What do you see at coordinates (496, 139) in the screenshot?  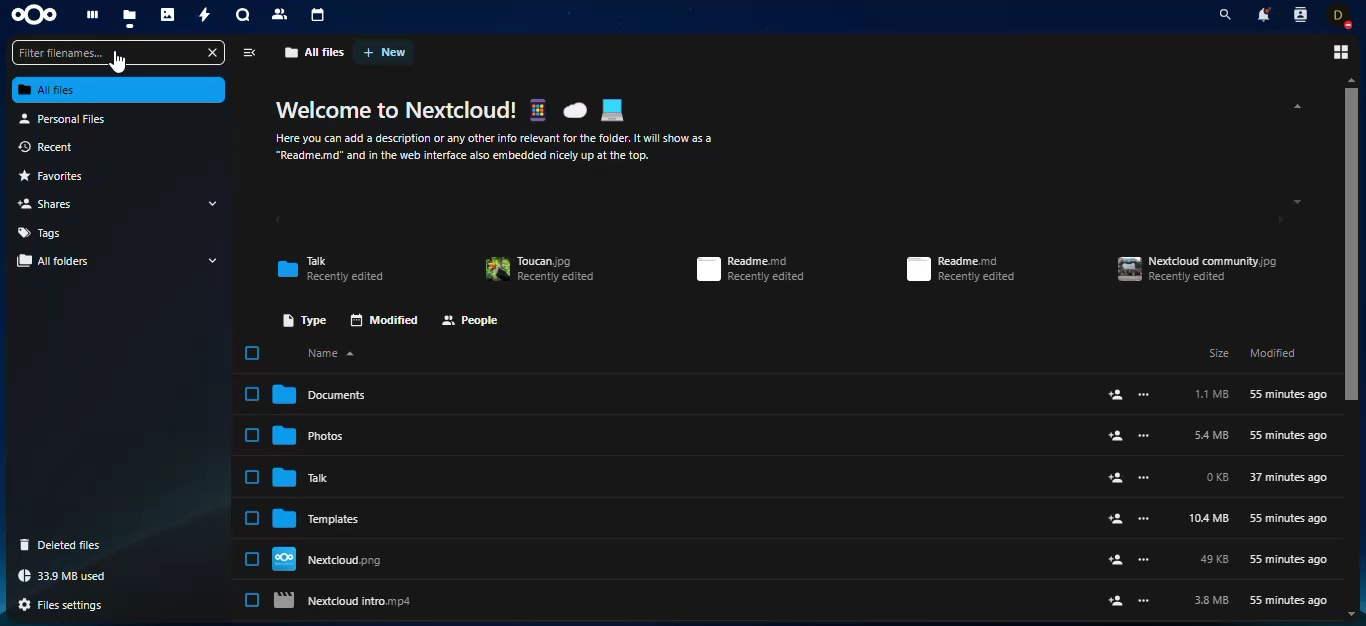 I see `Here you can add a description or any other info relevant for the folder. It will show as a` at bounding box center [496, 139].